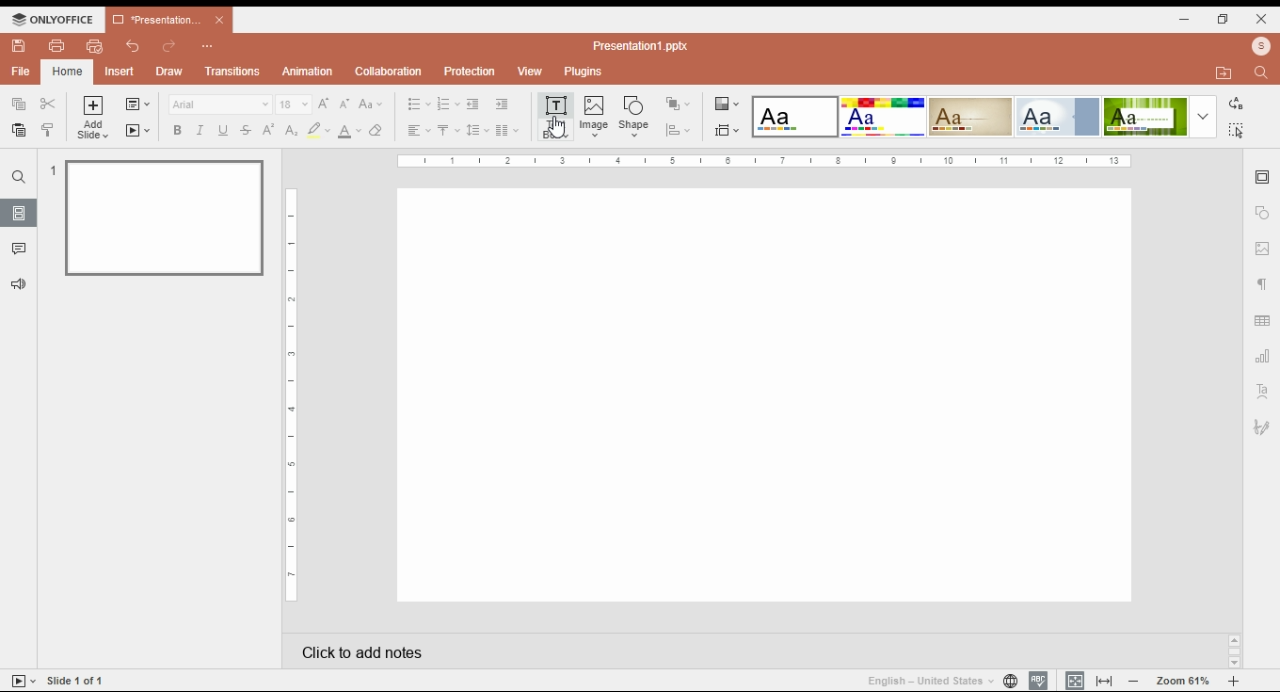 The width and height of the screenshot is (1280, 692). What do you see at coordinates (678, 132) in the screenshot?
I see `align shapes` at bounding box center [678, 132].